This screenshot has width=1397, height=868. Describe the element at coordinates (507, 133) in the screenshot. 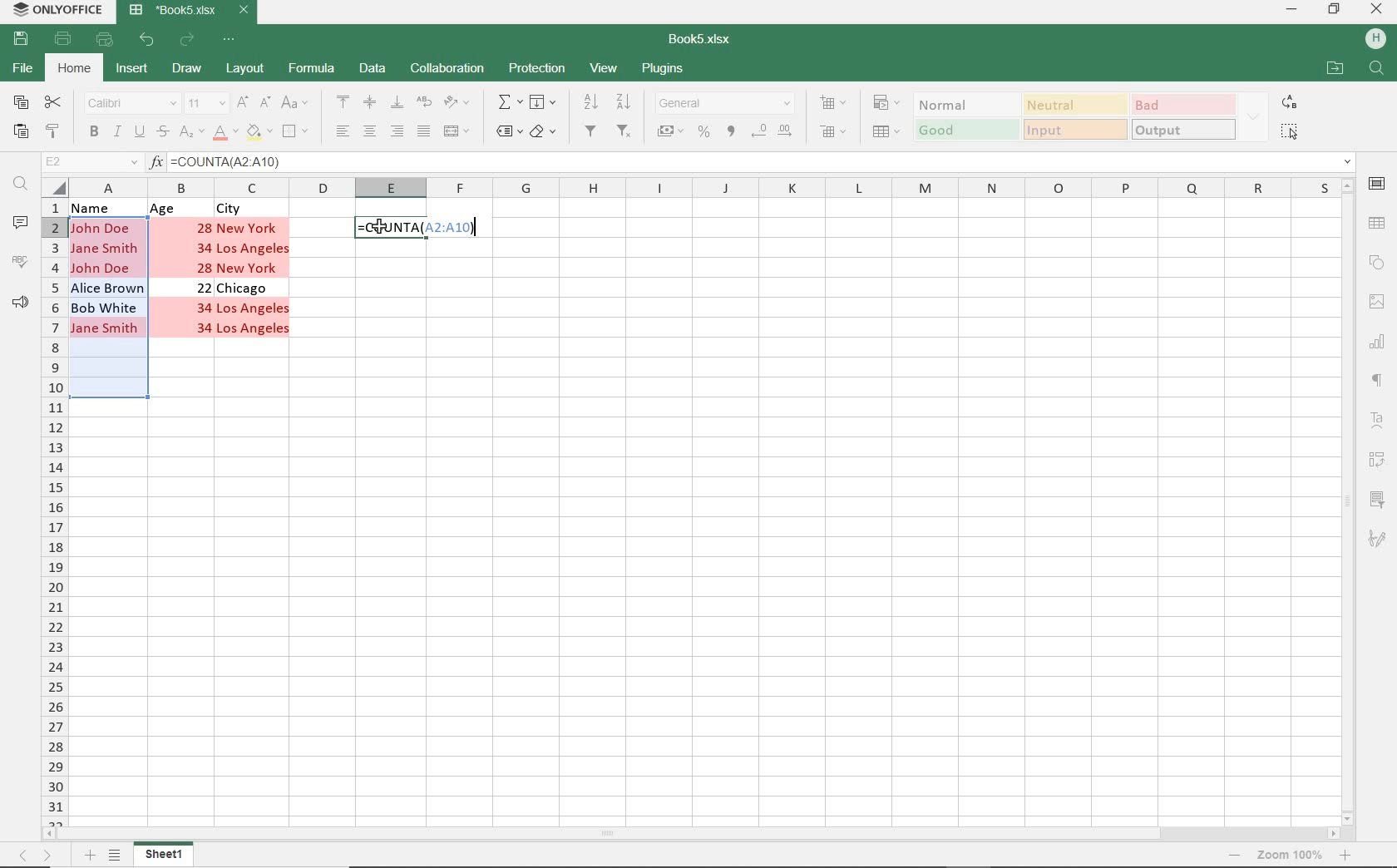

I see `NAMED RANGES` at that location.